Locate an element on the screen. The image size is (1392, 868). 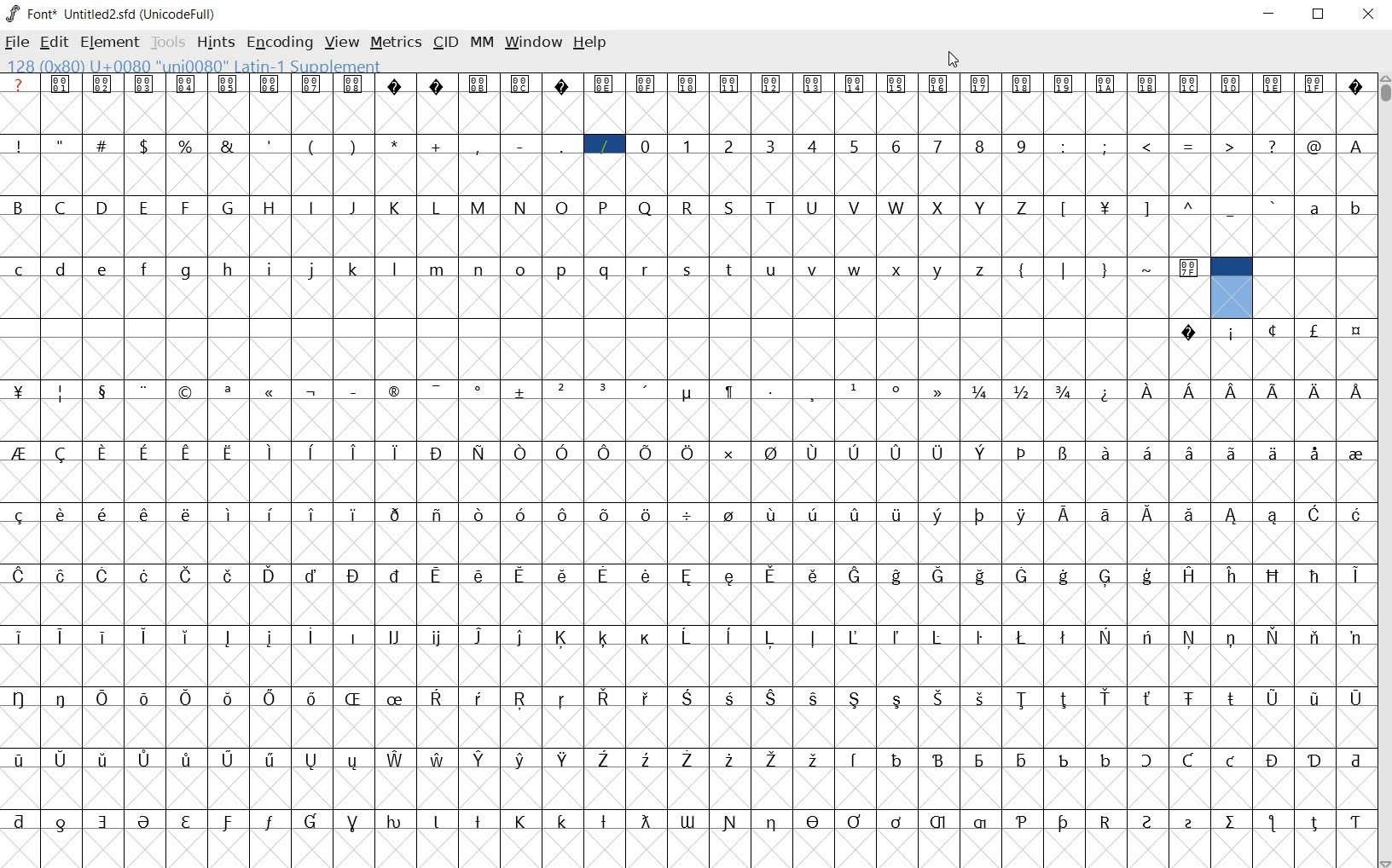
Symbol is located at coordinates (188, 452).